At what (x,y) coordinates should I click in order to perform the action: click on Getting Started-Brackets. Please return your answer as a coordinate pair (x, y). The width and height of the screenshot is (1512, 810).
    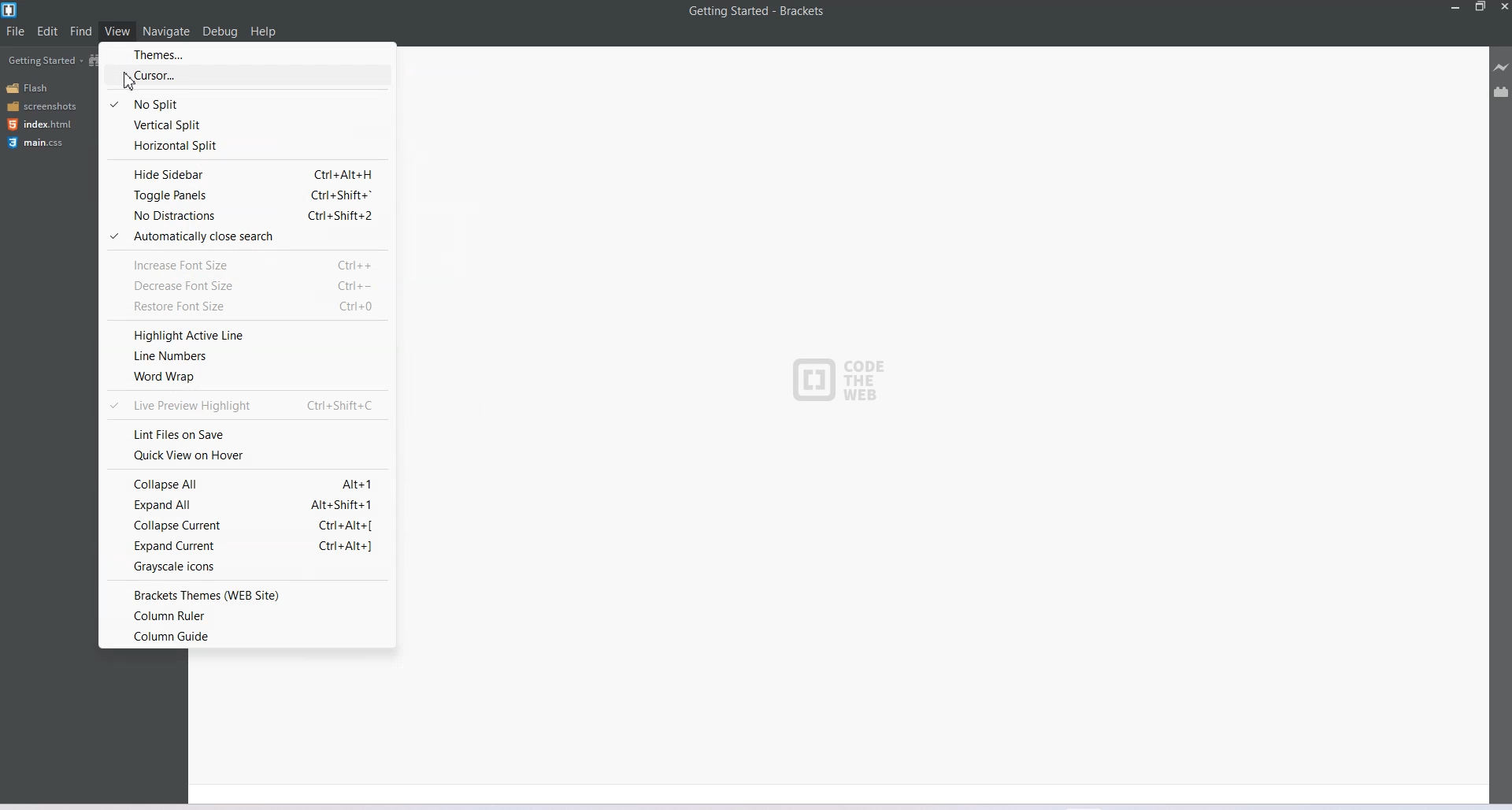
    Looking at the image, I should click on (757, 12).